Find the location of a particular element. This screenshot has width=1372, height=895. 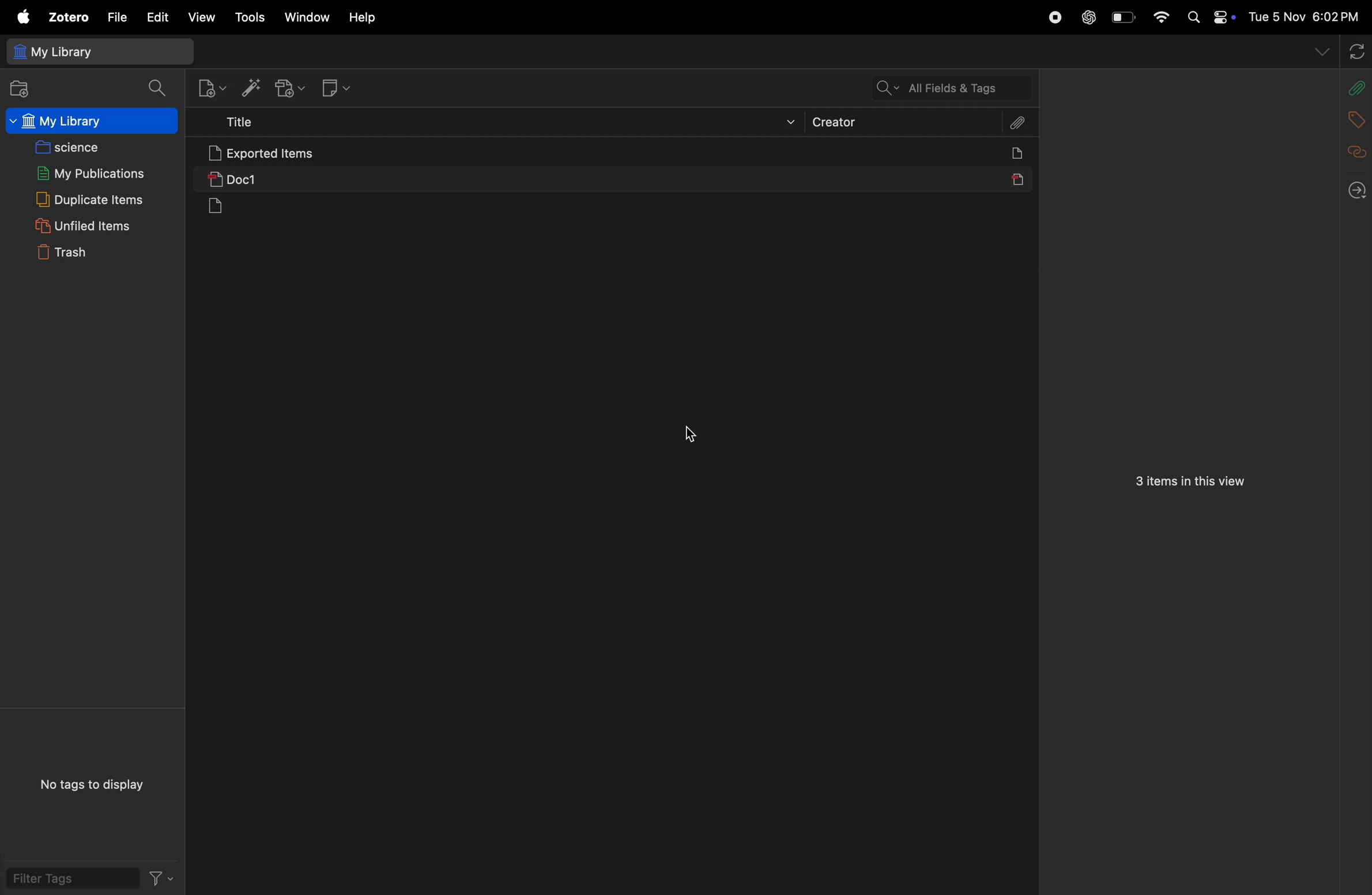

apple menu is located at coordinates (20, 16).